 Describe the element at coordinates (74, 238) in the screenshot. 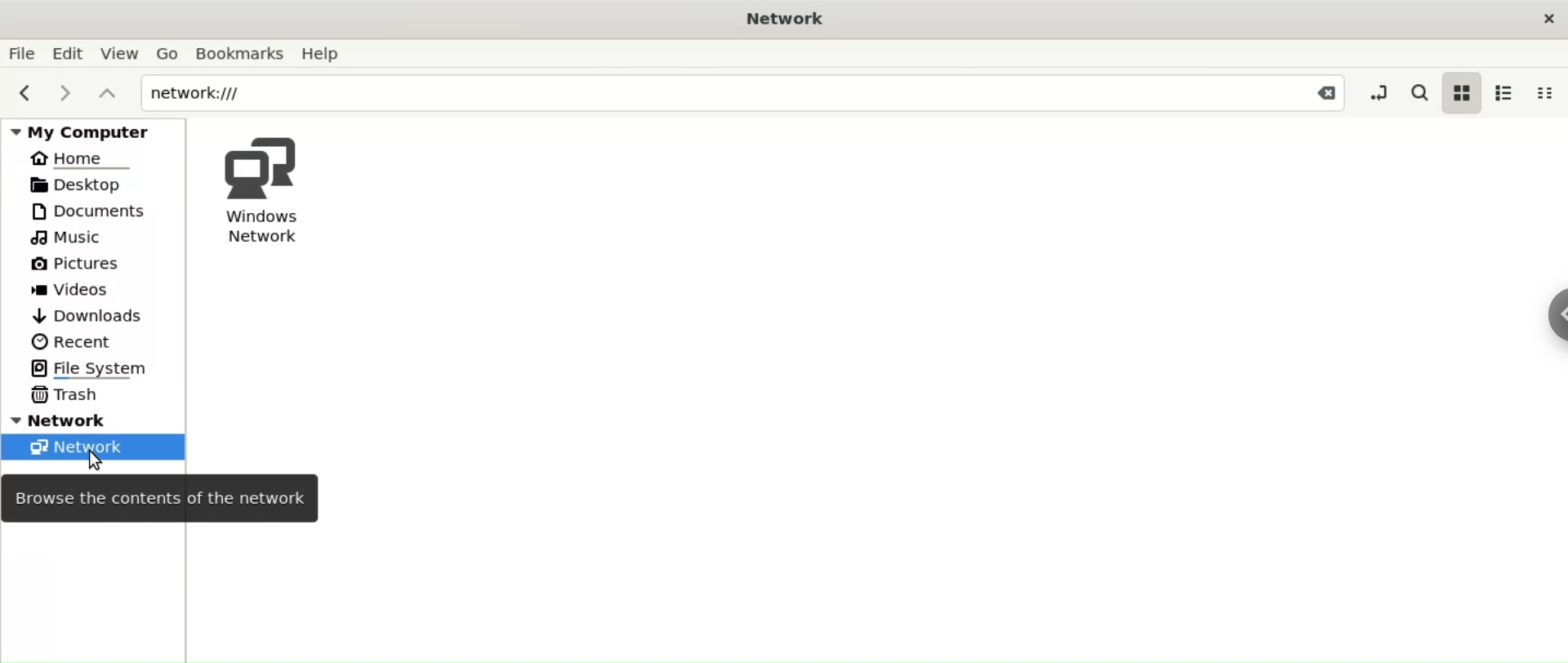

I see `Music` at that location.